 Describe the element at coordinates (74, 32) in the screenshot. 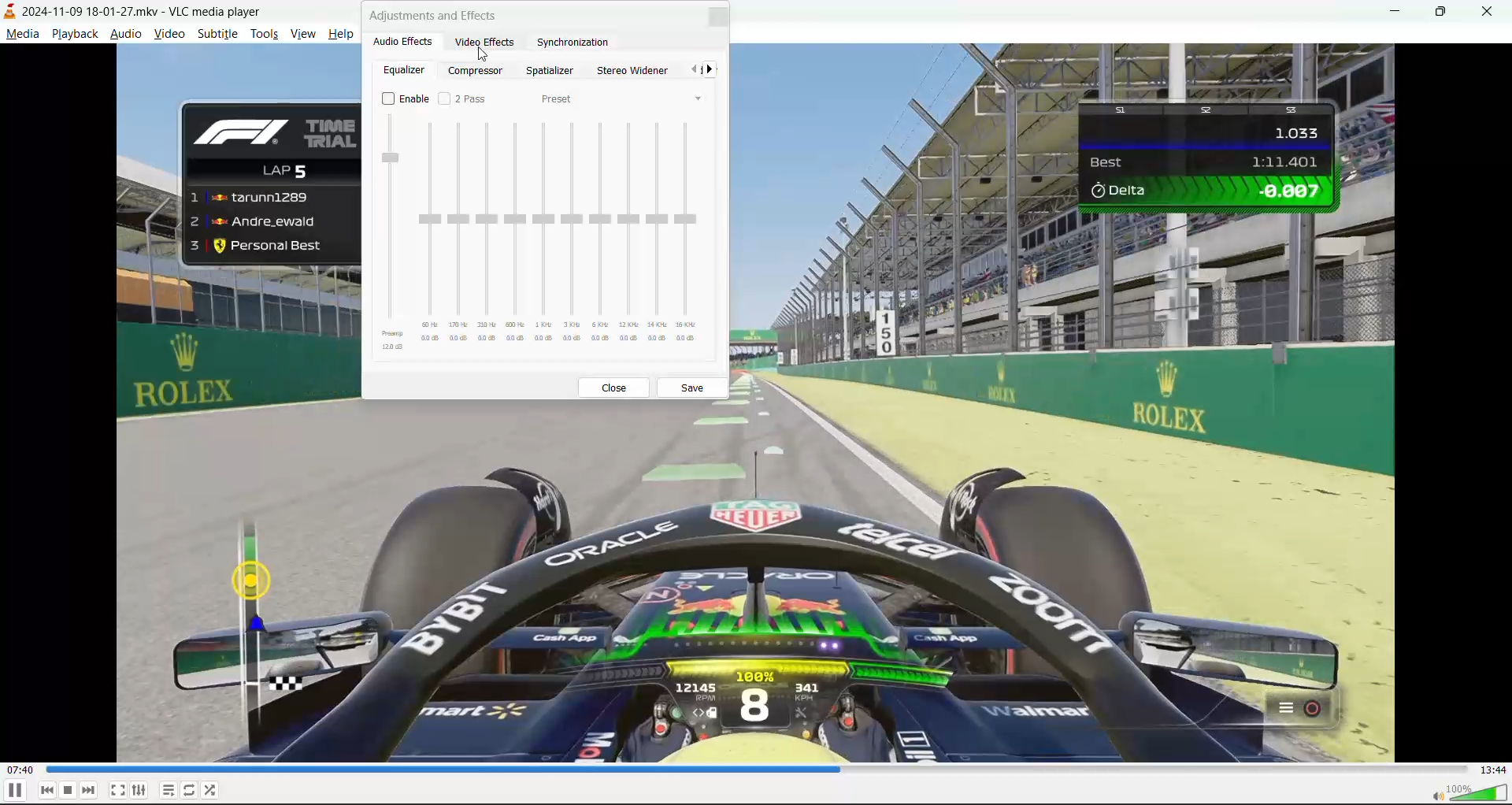

I see `playback` at that location.